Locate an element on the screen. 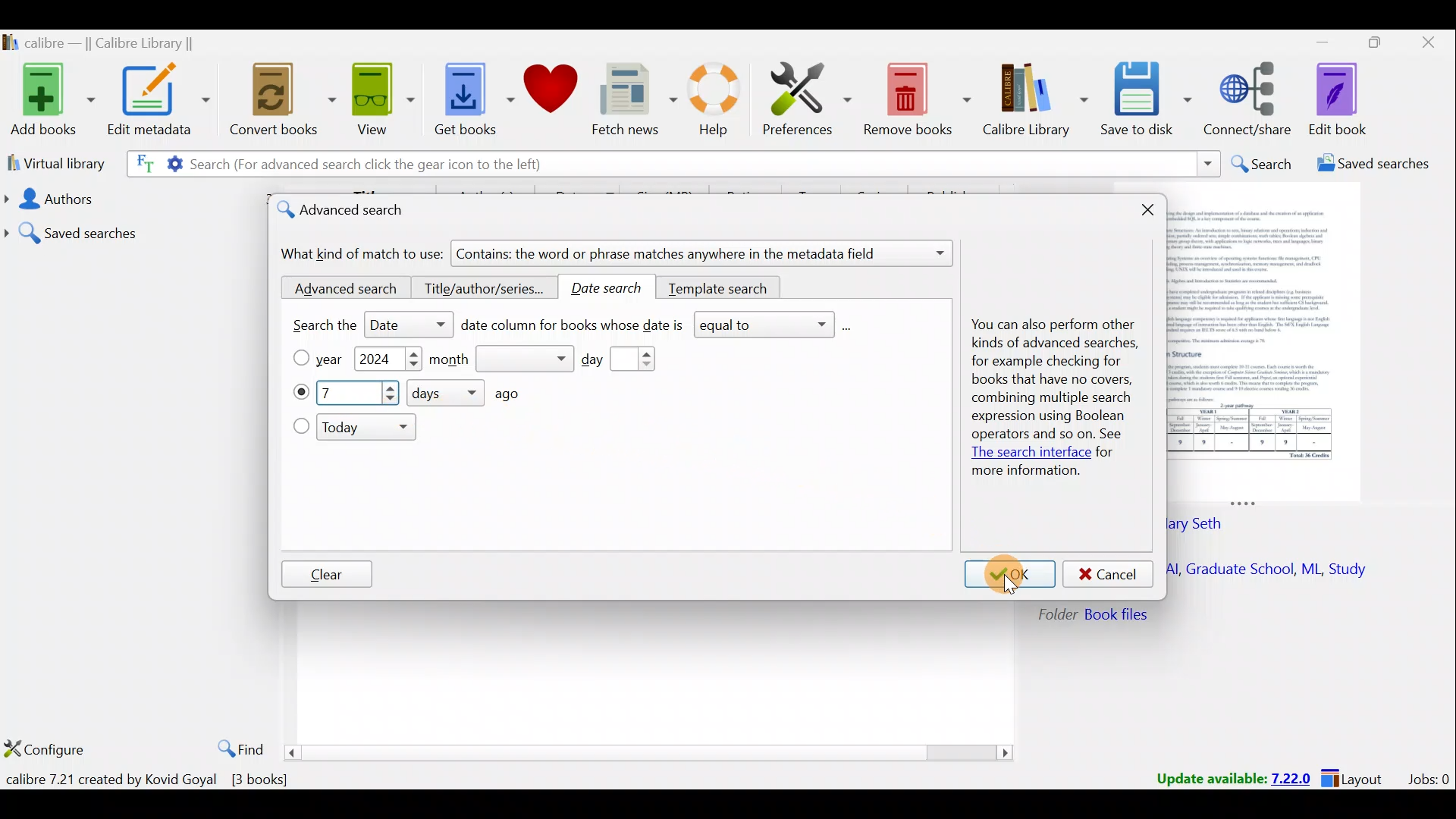 This screenshot has width=1456, height=819. Search (For advanced search click the gear icon to the left) is located at coordinates (347, 166).